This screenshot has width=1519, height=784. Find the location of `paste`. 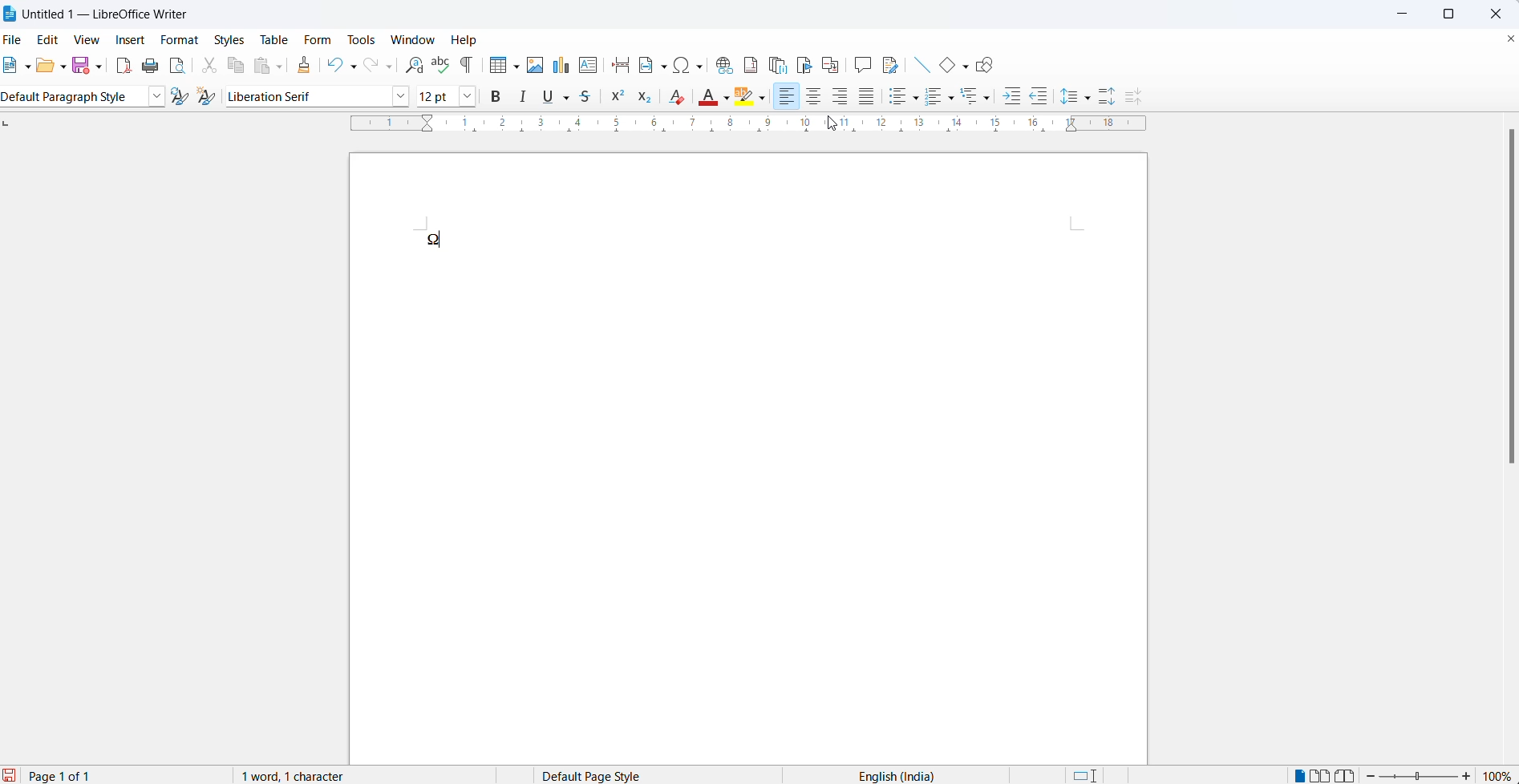

paste is located at coordinates (261, 67).